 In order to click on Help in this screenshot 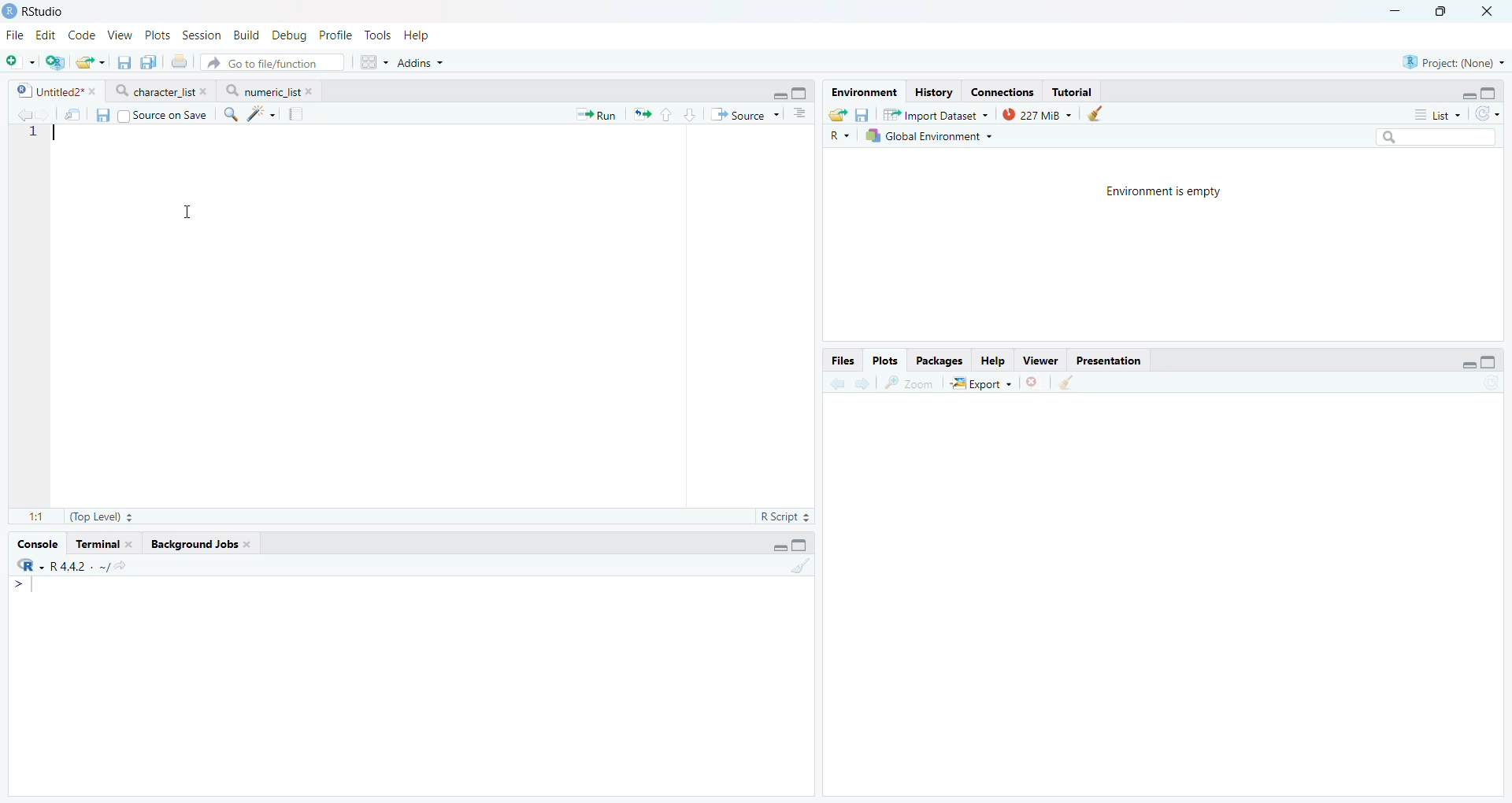, I will do `click(420, 35)`.